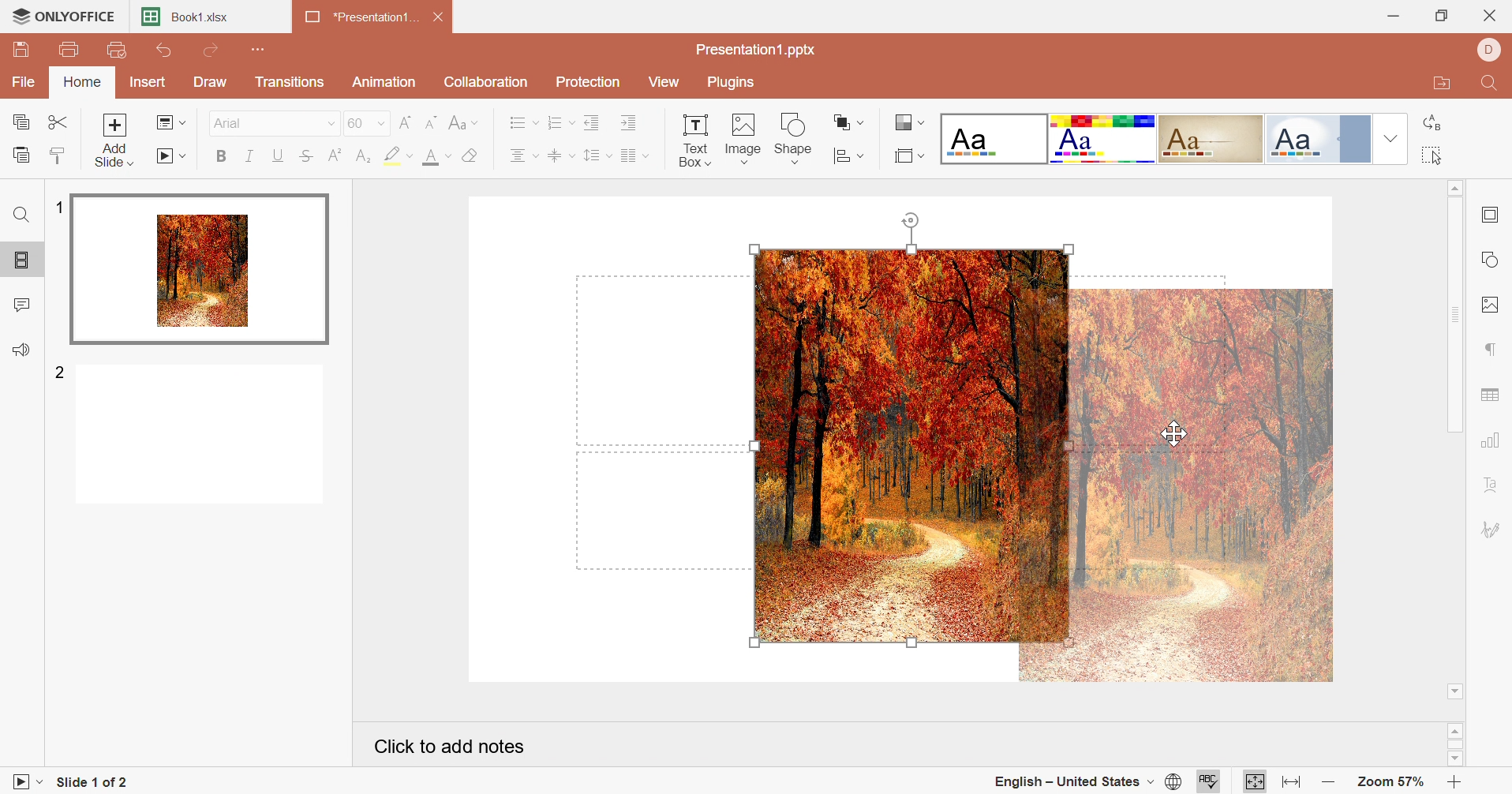 The height and width of the screenshot is (794, 1512). I want to click on Bullets, so click(524, 124).